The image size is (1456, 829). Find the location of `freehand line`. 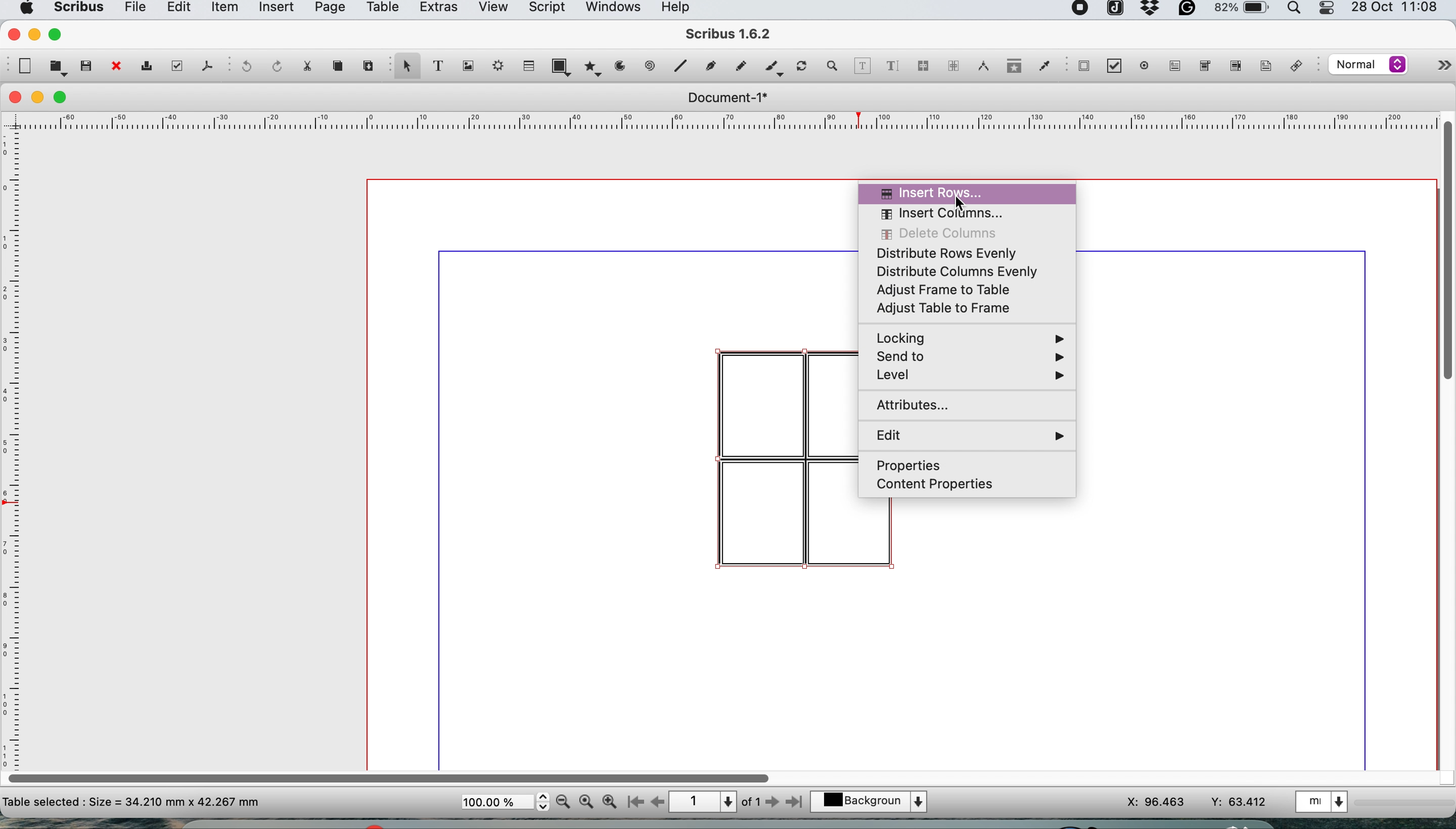

freehand line is located at coordinates (738, 66).